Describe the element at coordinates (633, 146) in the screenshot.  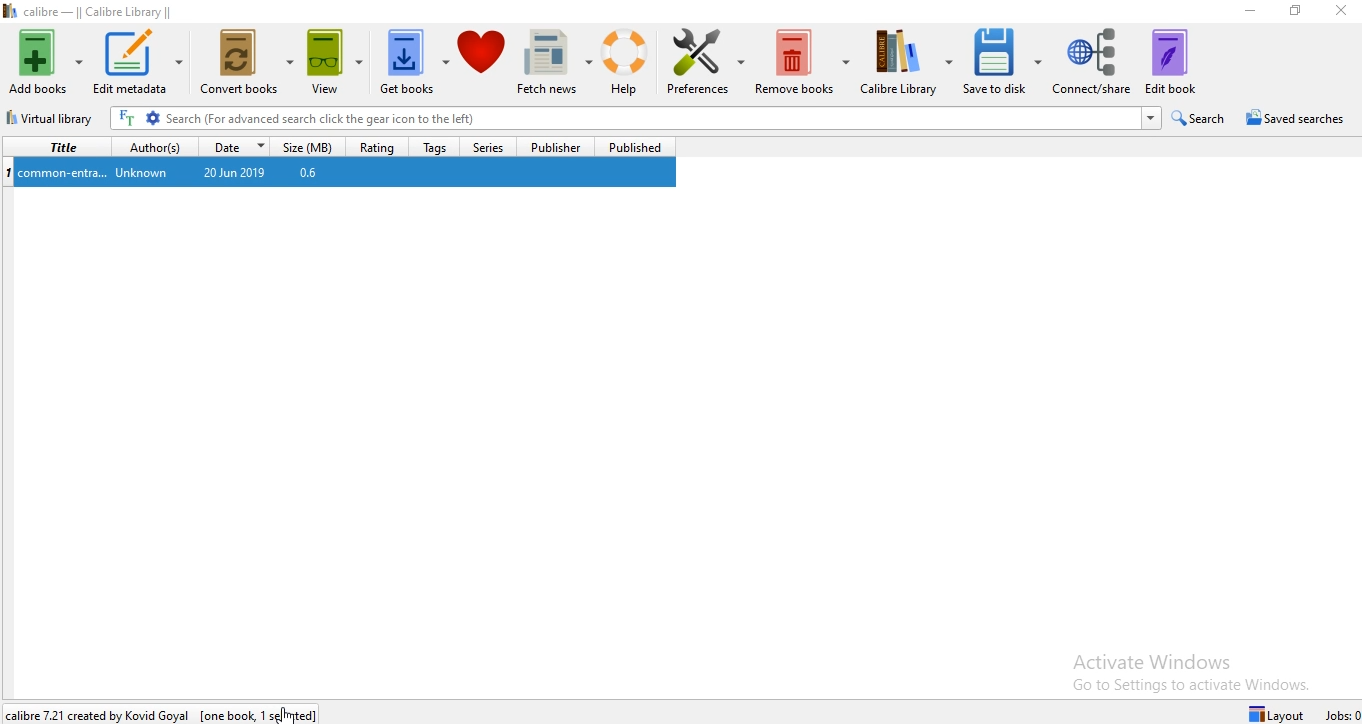
I see `Published` at that location.